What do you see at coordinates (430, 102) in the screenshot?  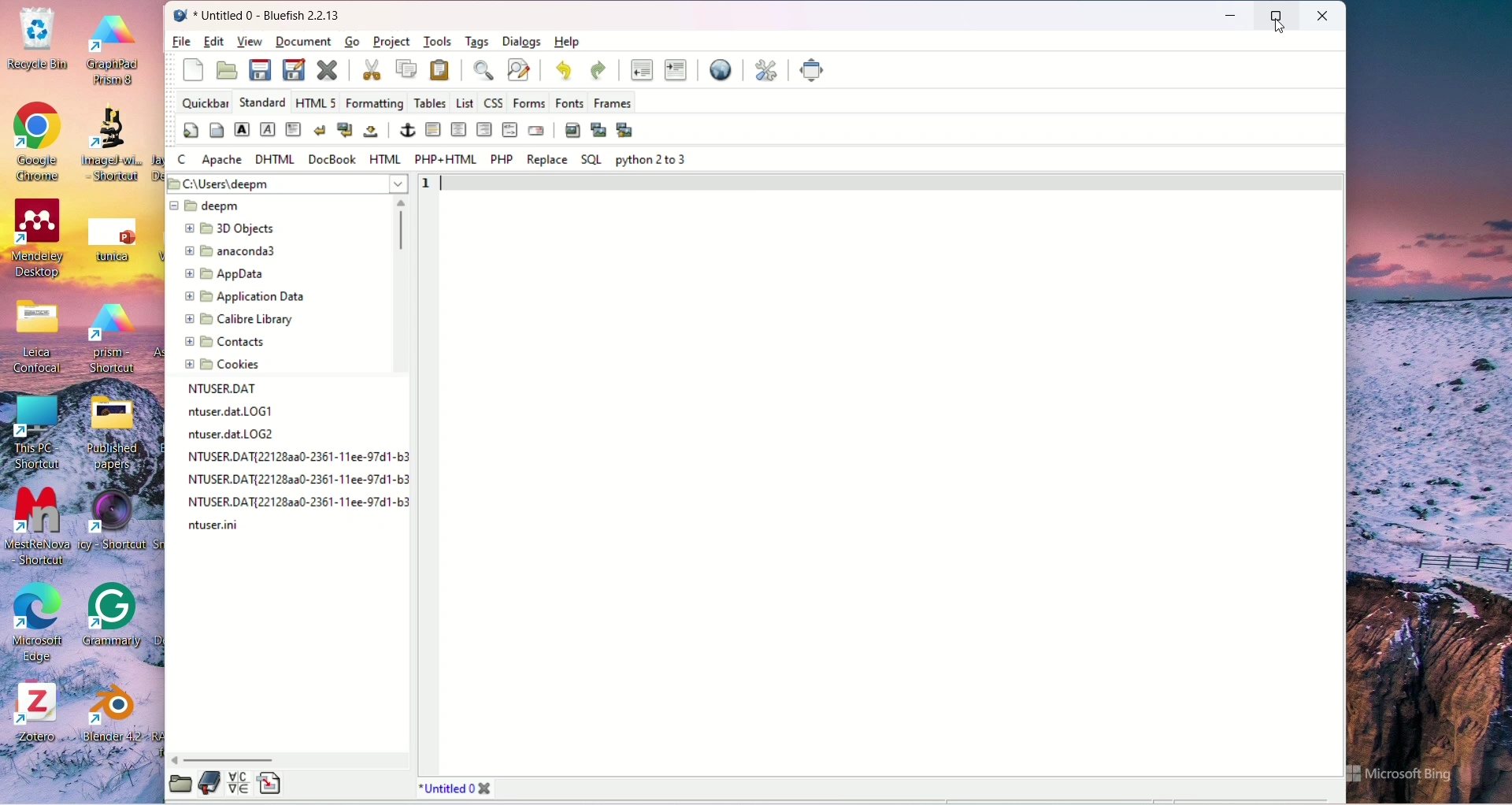 I see `tables` at bounding box center [430, 102].